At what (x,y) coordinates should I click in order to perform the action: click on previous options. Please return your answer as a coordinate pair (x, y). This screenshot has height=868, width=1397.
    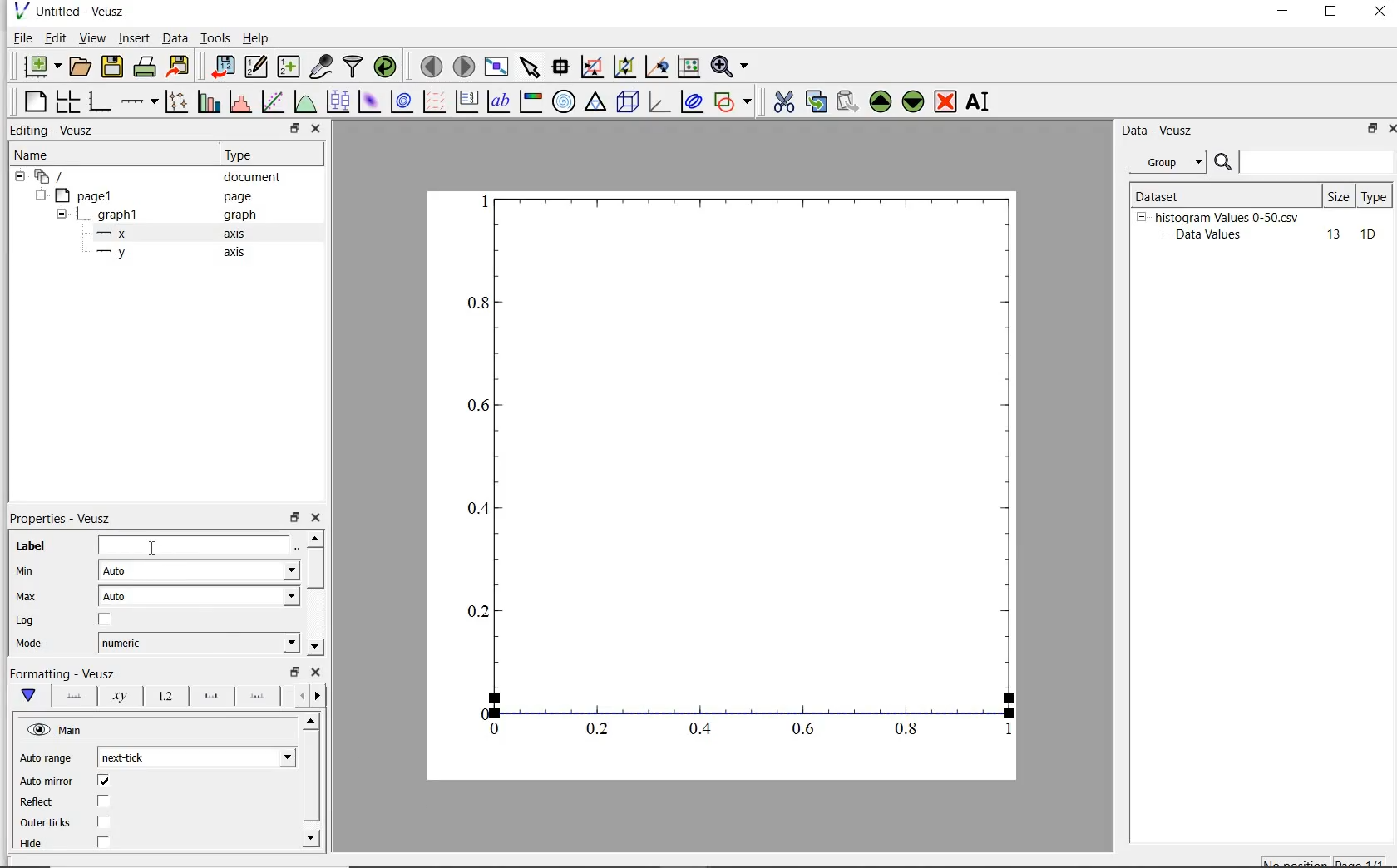
    Looking at the image, I should click on (299, 696).